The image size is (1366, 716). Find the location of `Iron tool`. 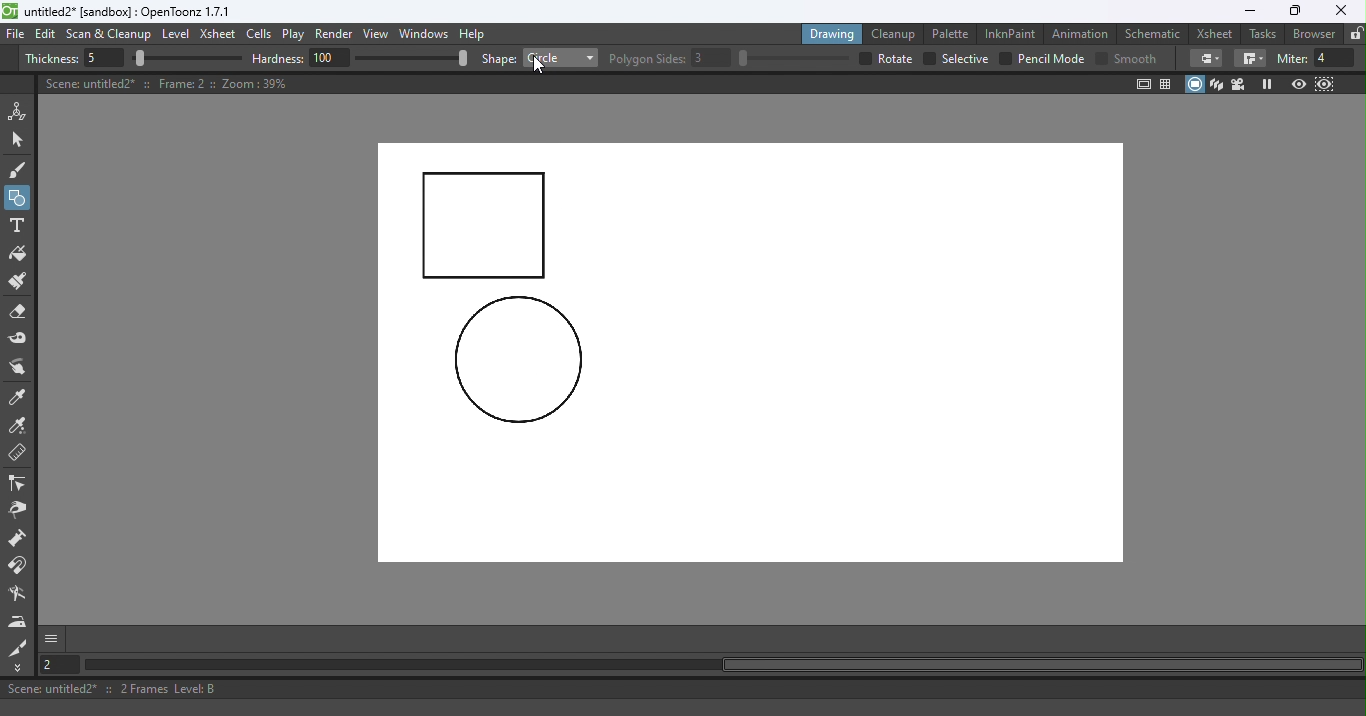

Iron tool is located at coordinates (20, 621).